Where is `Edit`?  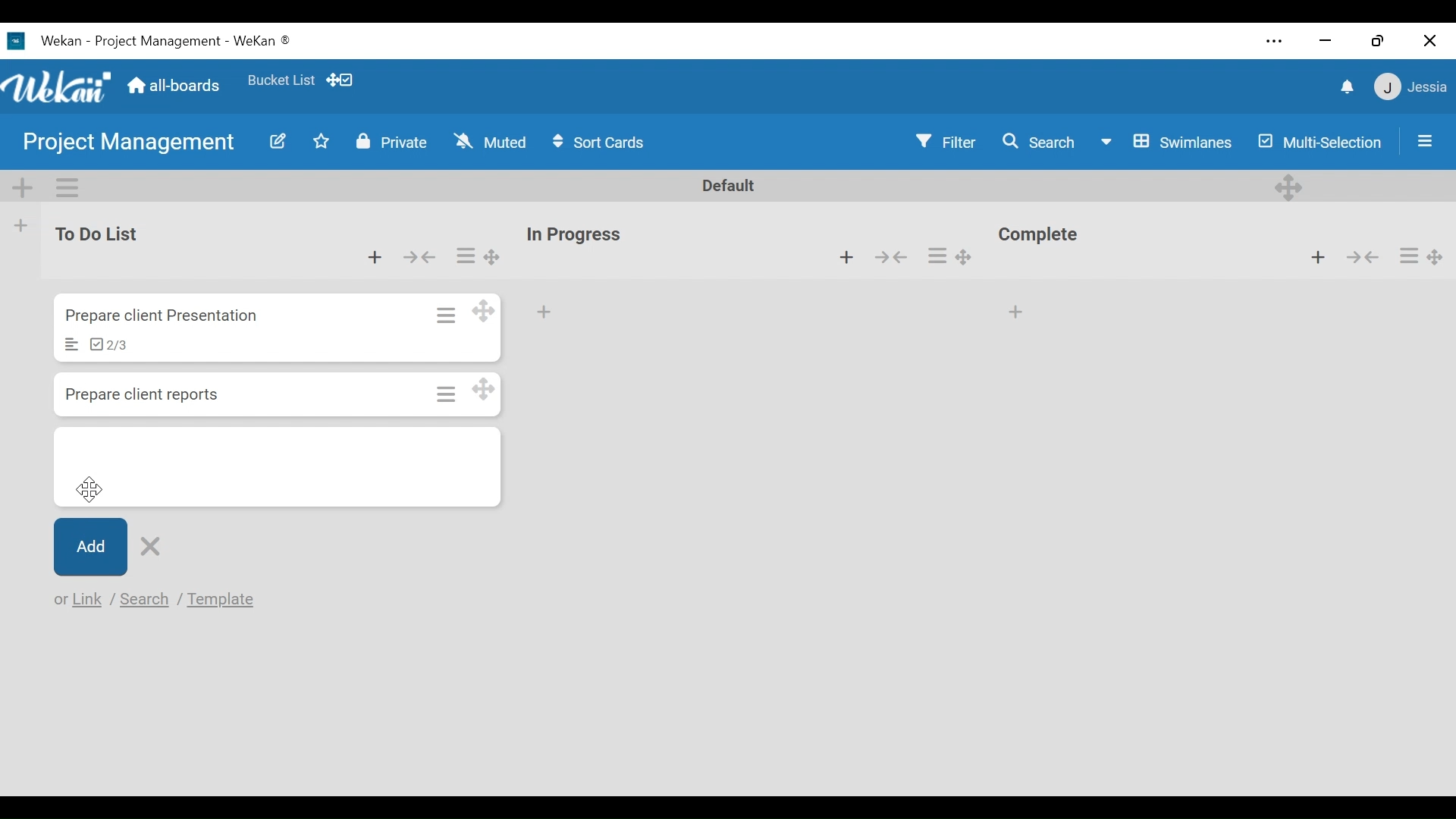
Edit is located at coordinates (271, 141).